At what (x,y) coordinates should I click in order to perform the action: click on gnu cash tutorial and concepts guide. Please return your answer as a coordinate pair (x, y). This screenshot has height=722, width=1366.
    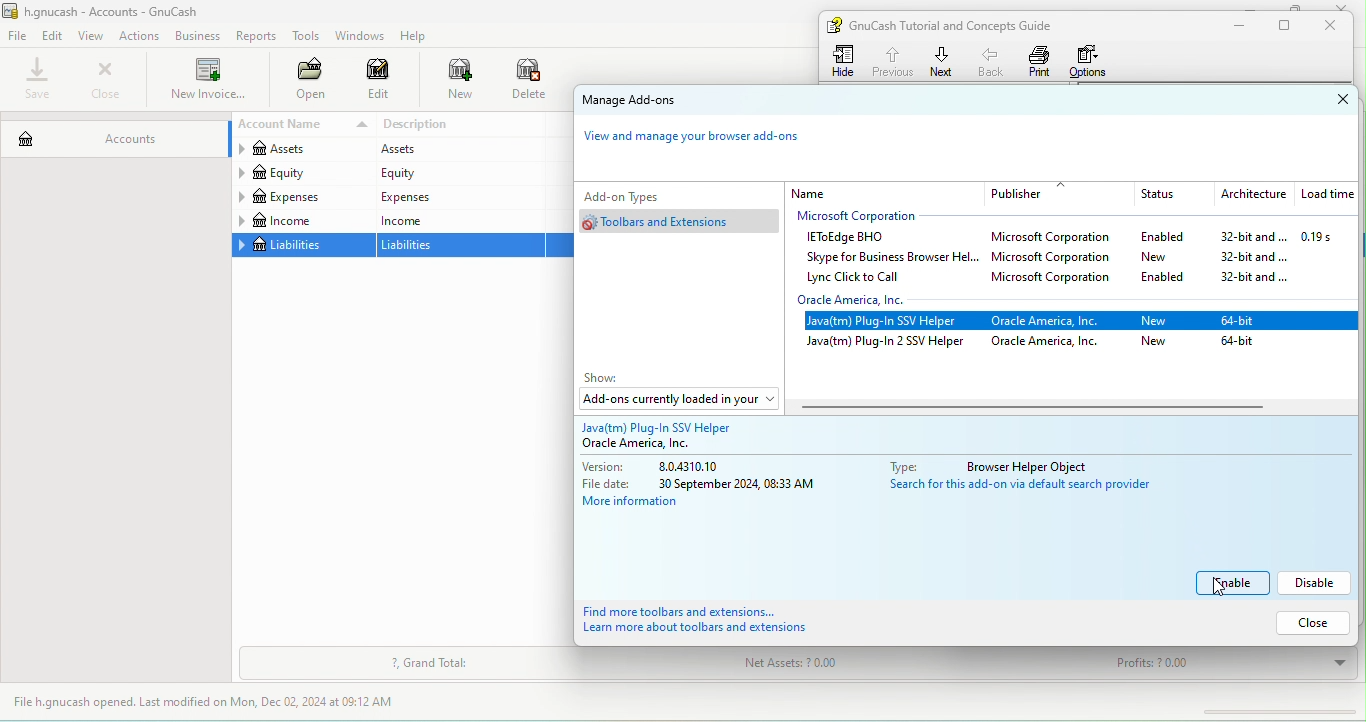
    Looking at the image, I should click on (959, 25).